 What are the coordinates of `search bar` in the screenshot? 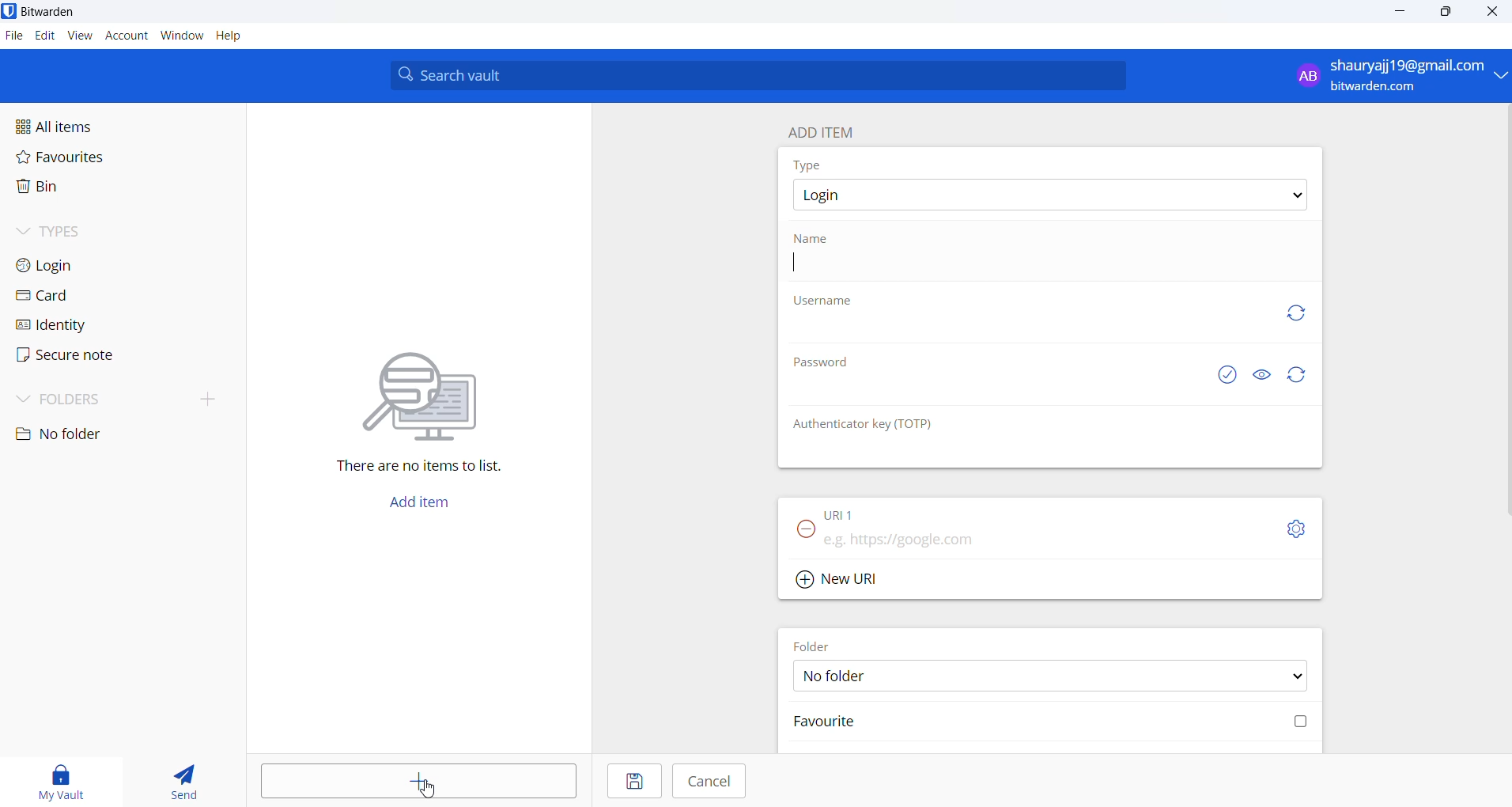 It's located at (764, 75).